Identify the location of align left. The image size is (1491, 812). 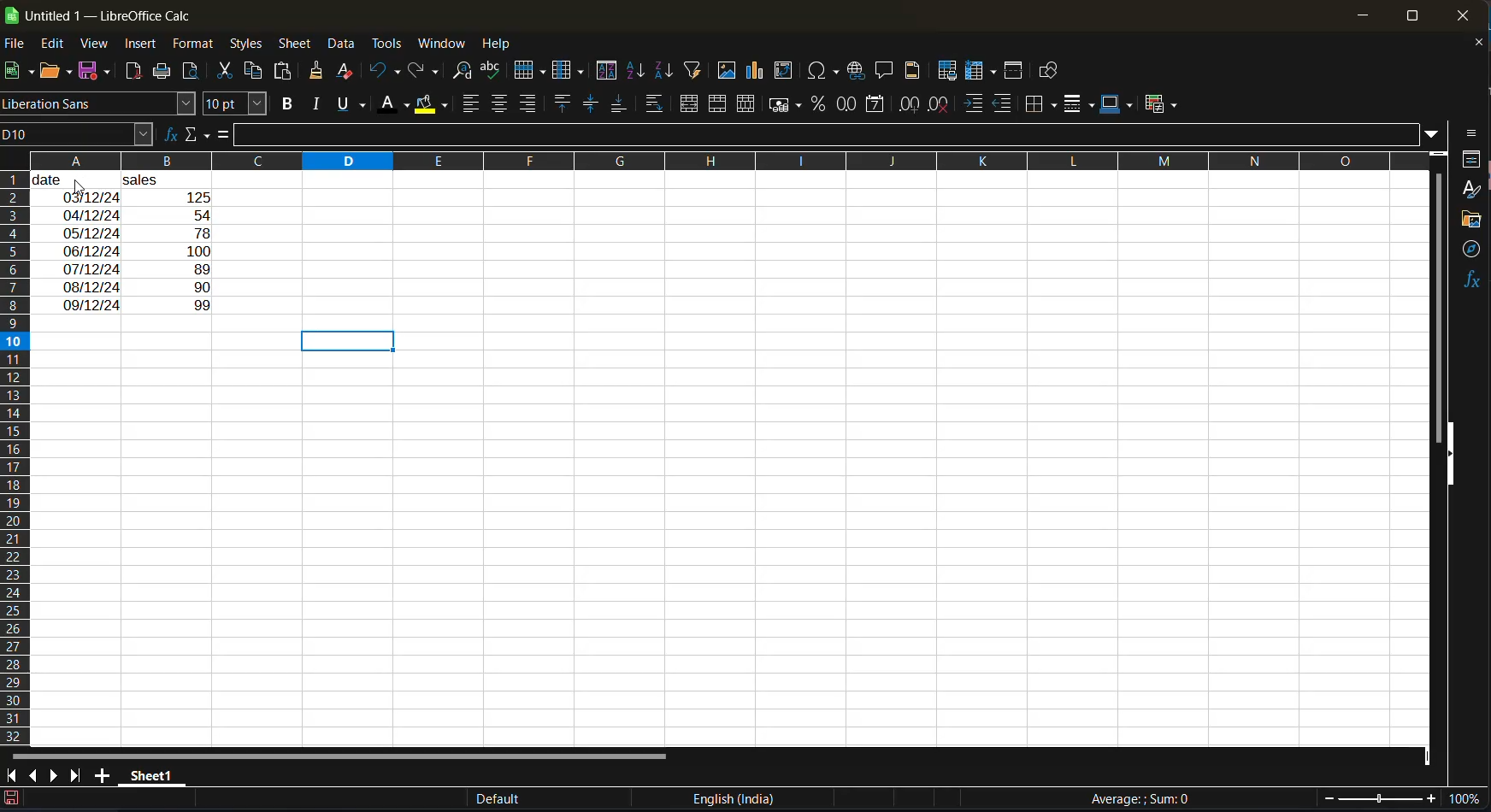
(474, 103).